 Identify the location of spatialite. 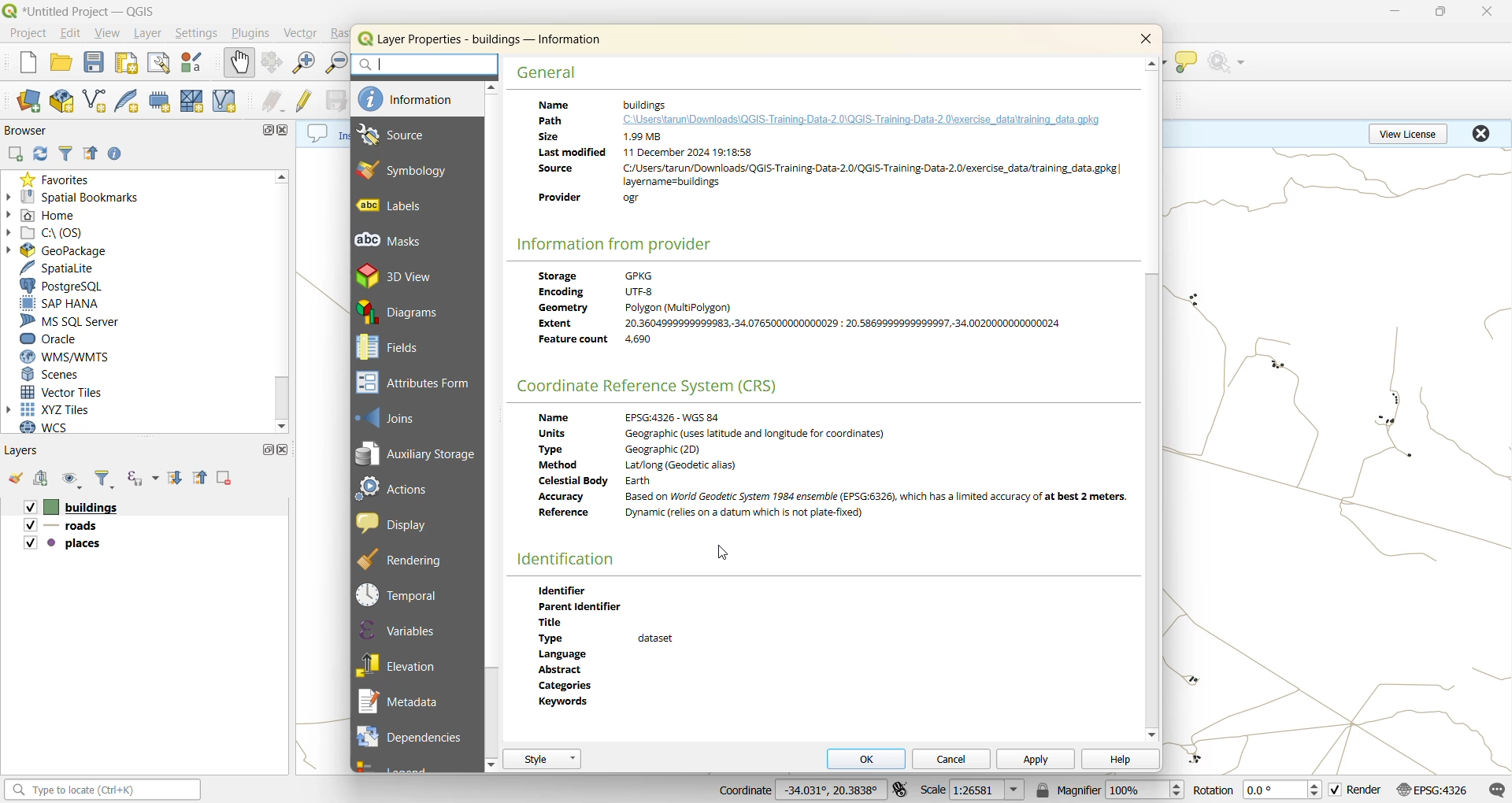
(62, 268).